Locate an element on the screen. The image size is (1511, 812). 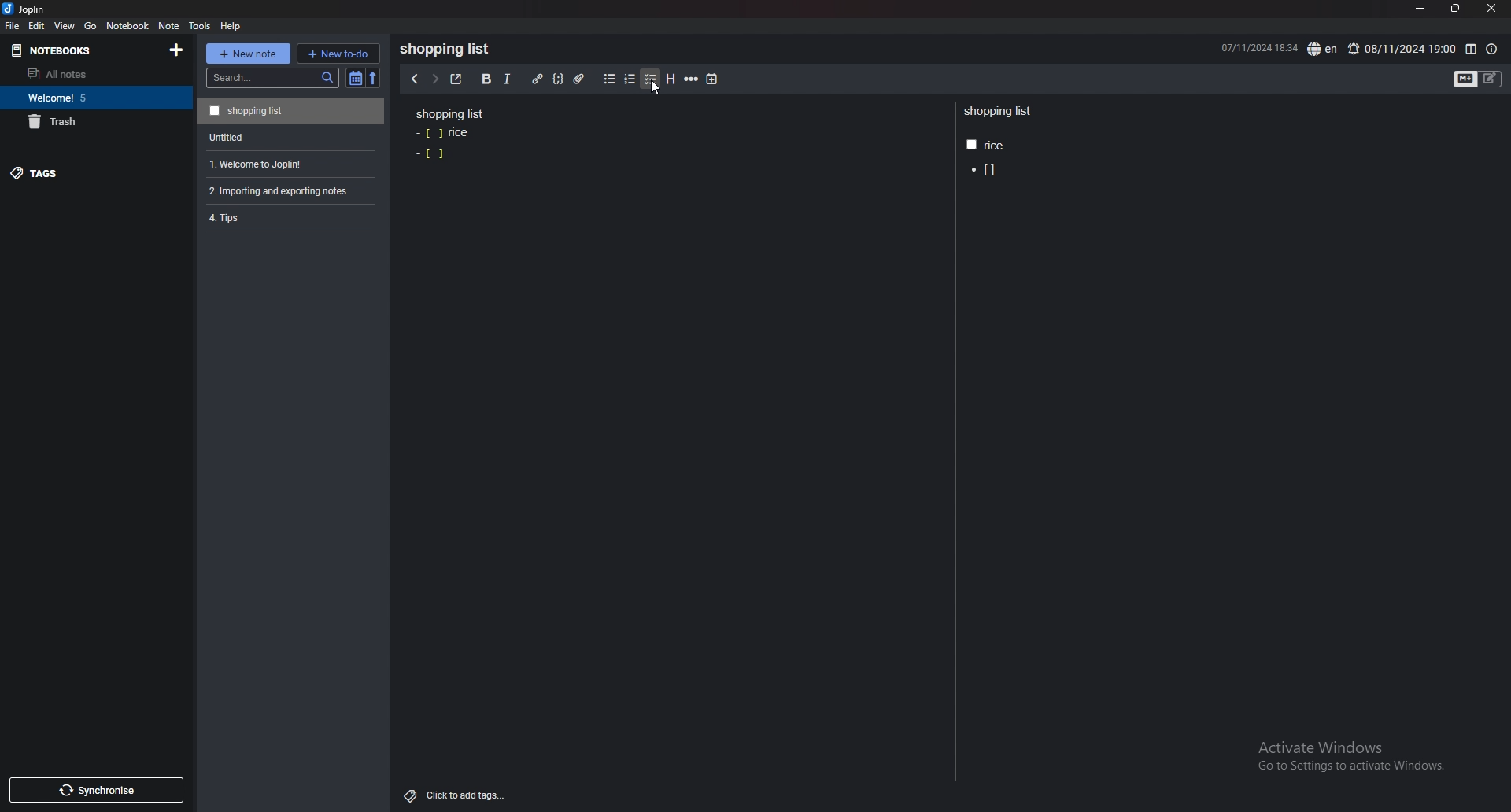
toggle sort order is located at coordinates (356, 78).